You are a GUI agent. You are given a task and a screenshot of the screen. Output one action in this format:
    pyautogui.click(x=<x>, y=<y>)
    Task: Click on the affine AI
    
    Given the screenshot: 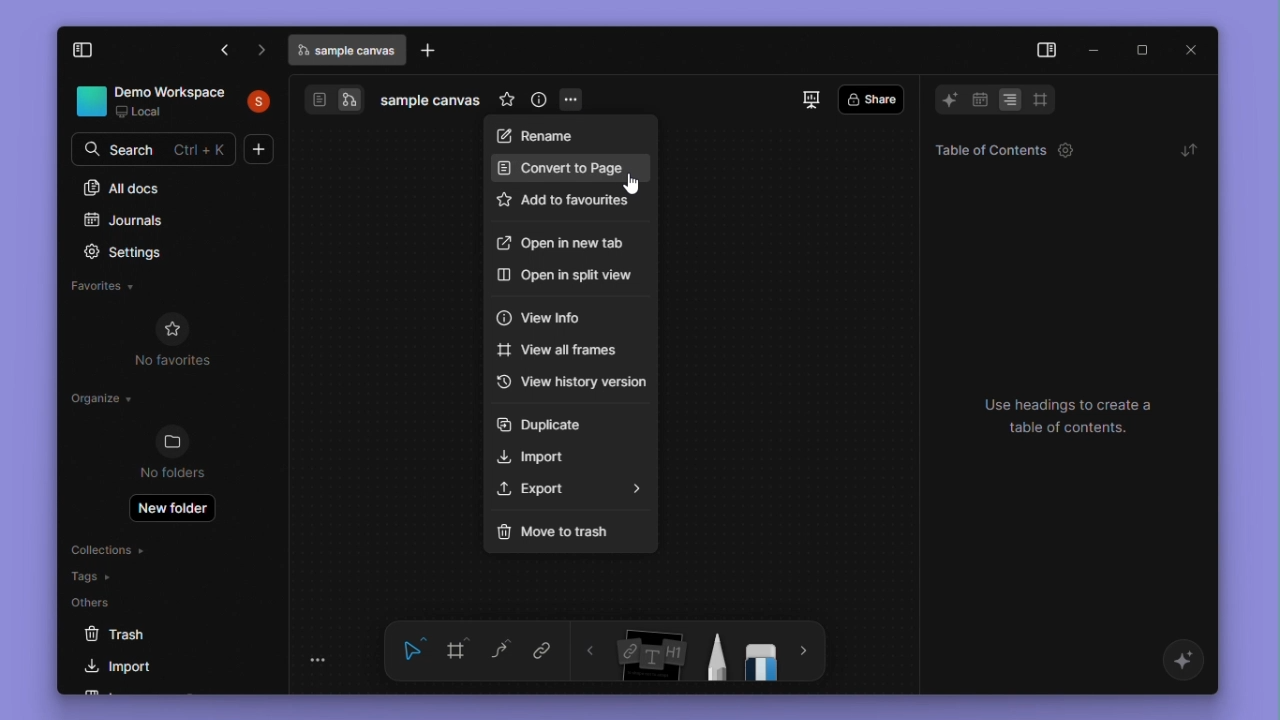 What is the action you would take?
    pyautogui.click(x=1186, y=662)
    